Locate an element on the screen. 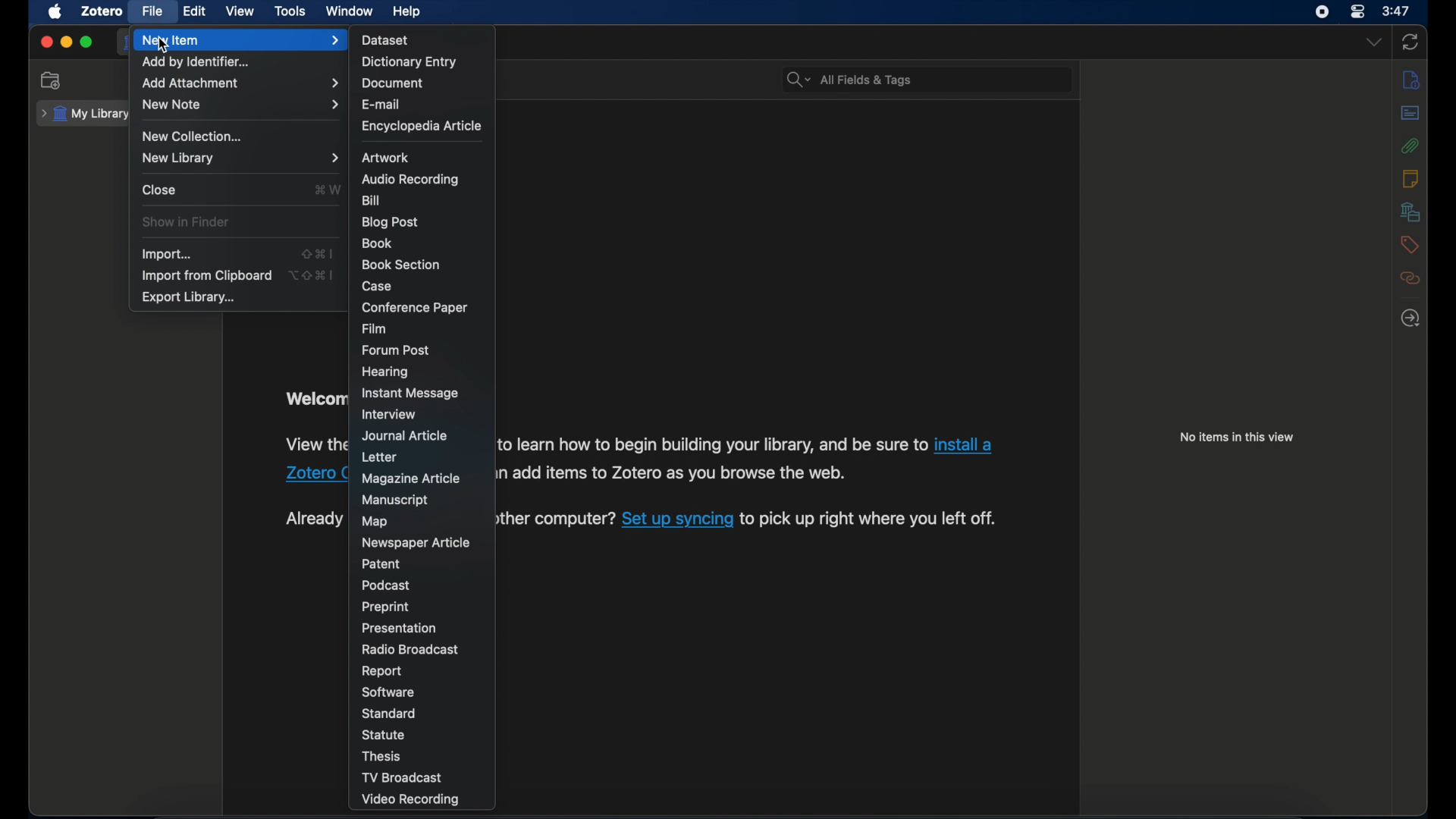  file is located at coordinates (152, 11).